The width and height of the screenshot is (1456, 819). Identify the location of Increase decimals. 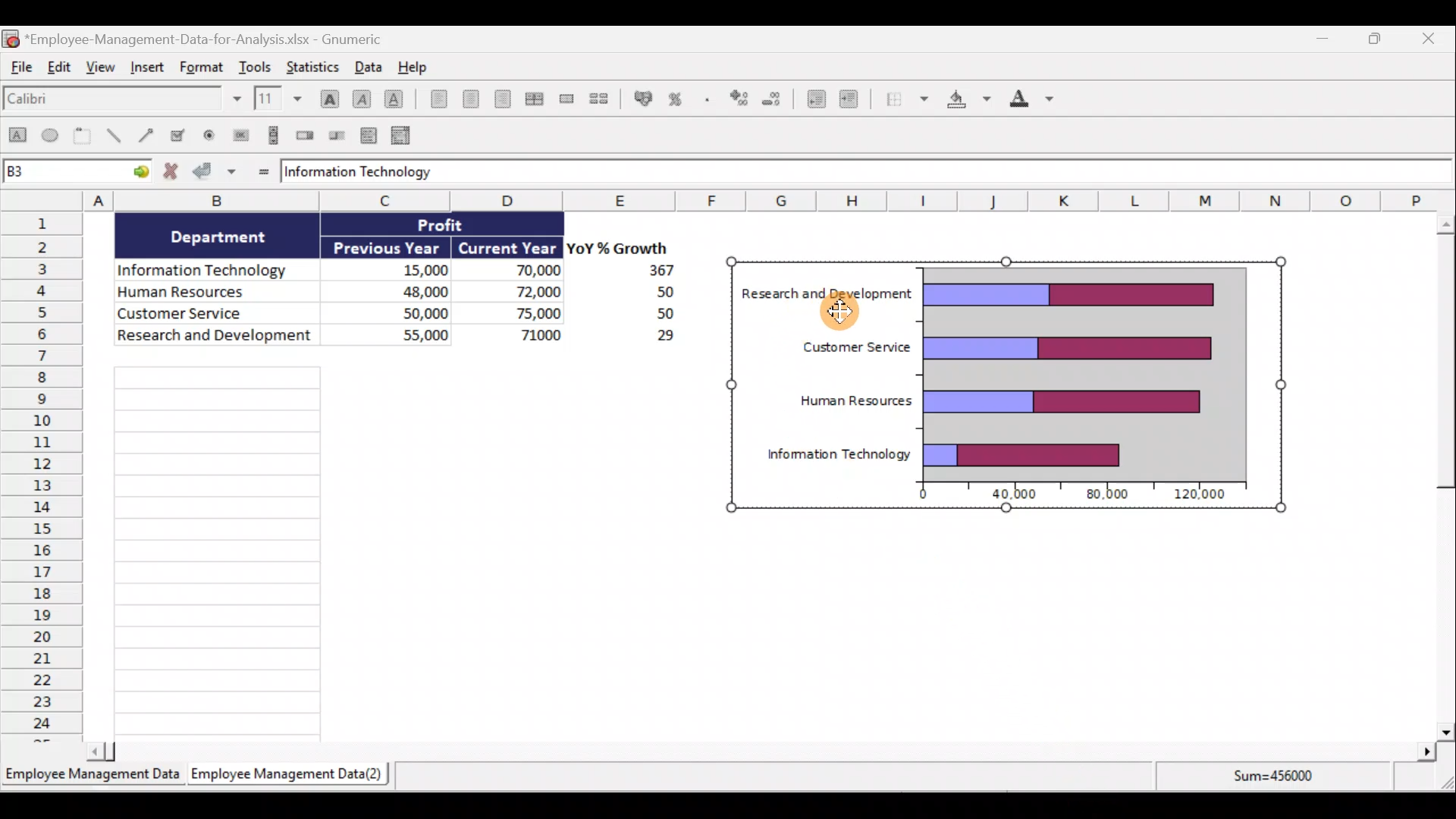
(737, 99).